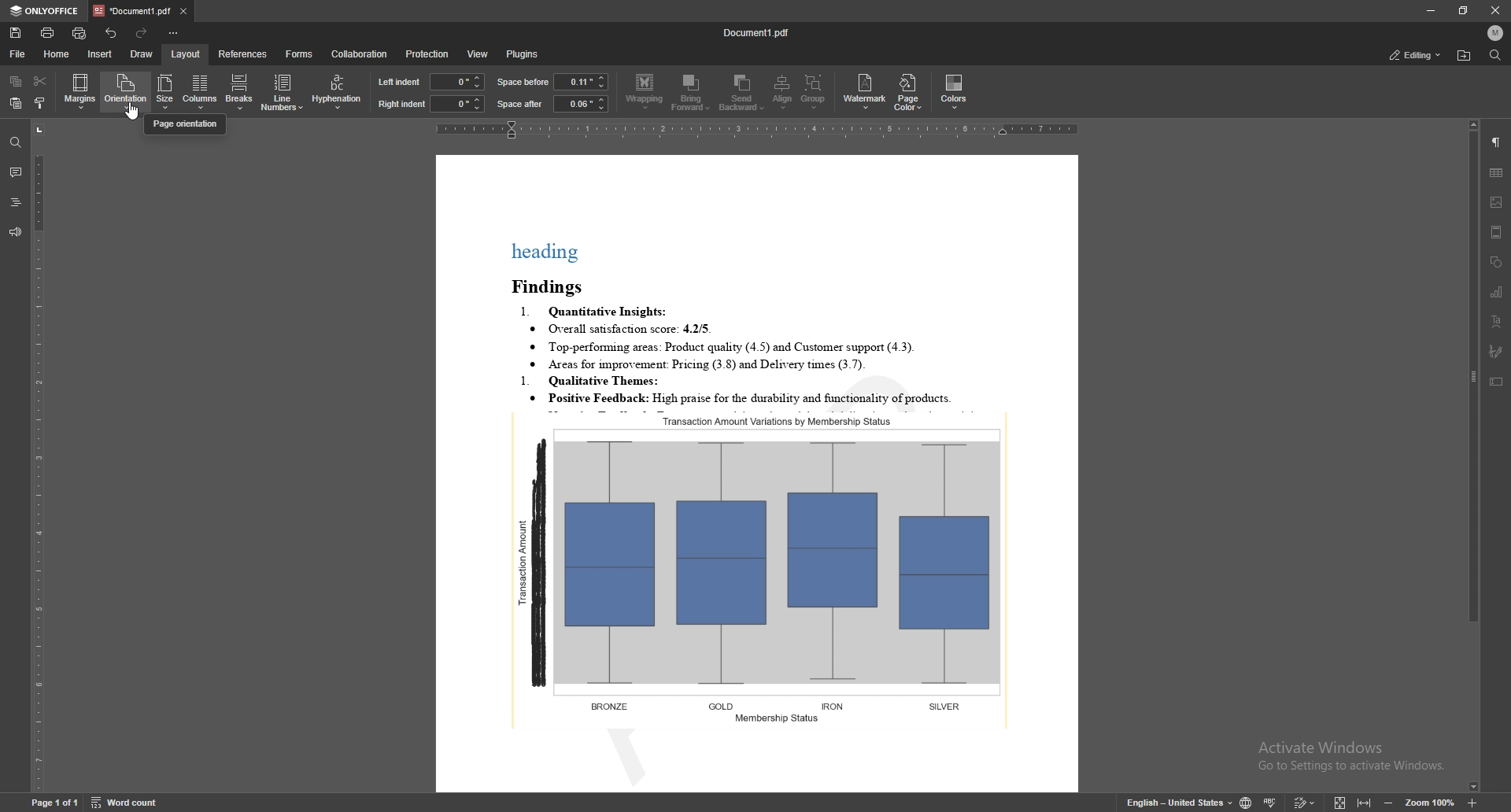 This screenshot has width=1511, height=812. What do you see at coordinates (1497, 33) in the screenshot?
I see `profile` at bounding box center [1497, 33].